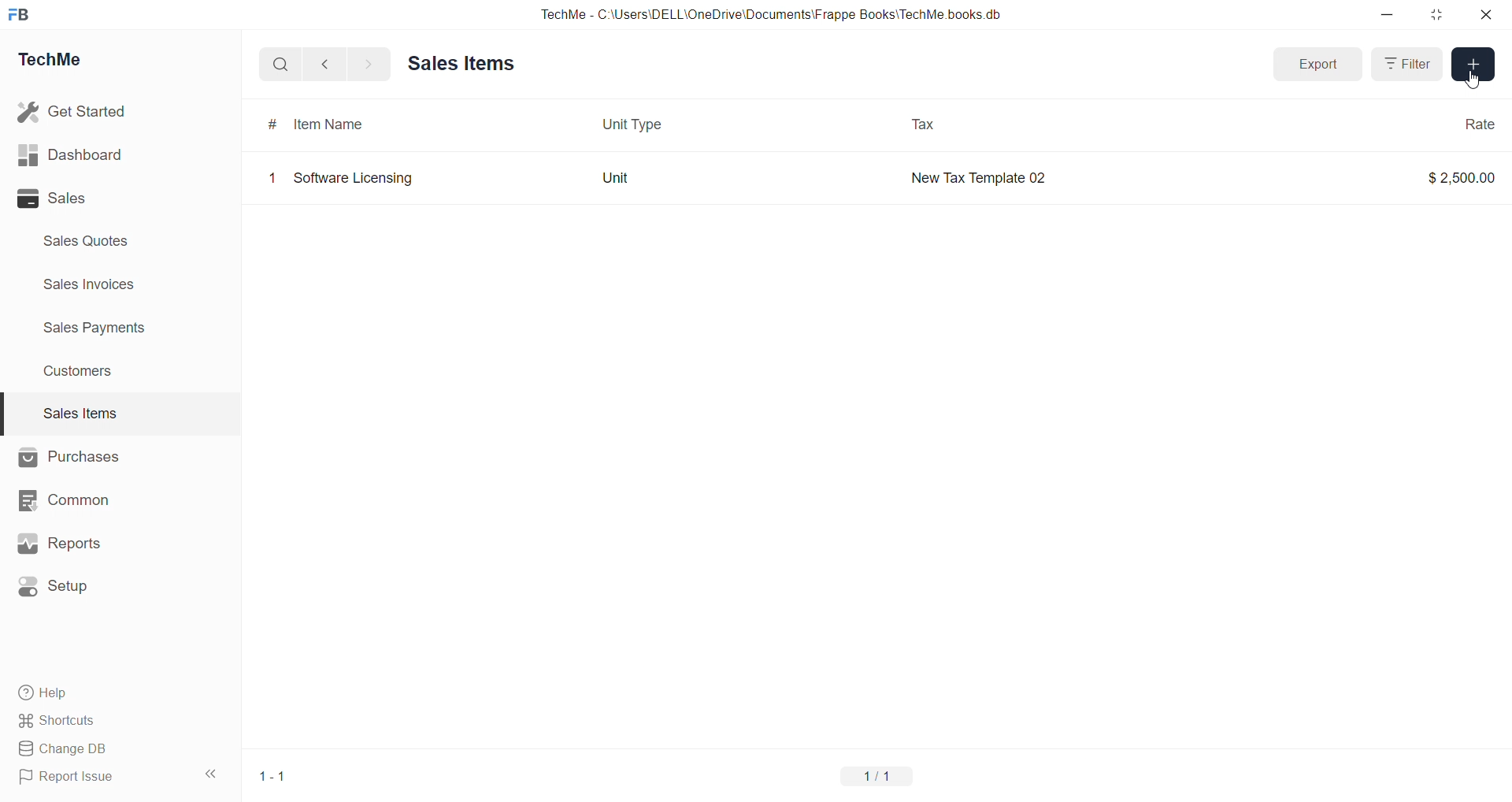  Describe the element at coordinates (369, 64) in the screenshot. I see `forward` at that location.